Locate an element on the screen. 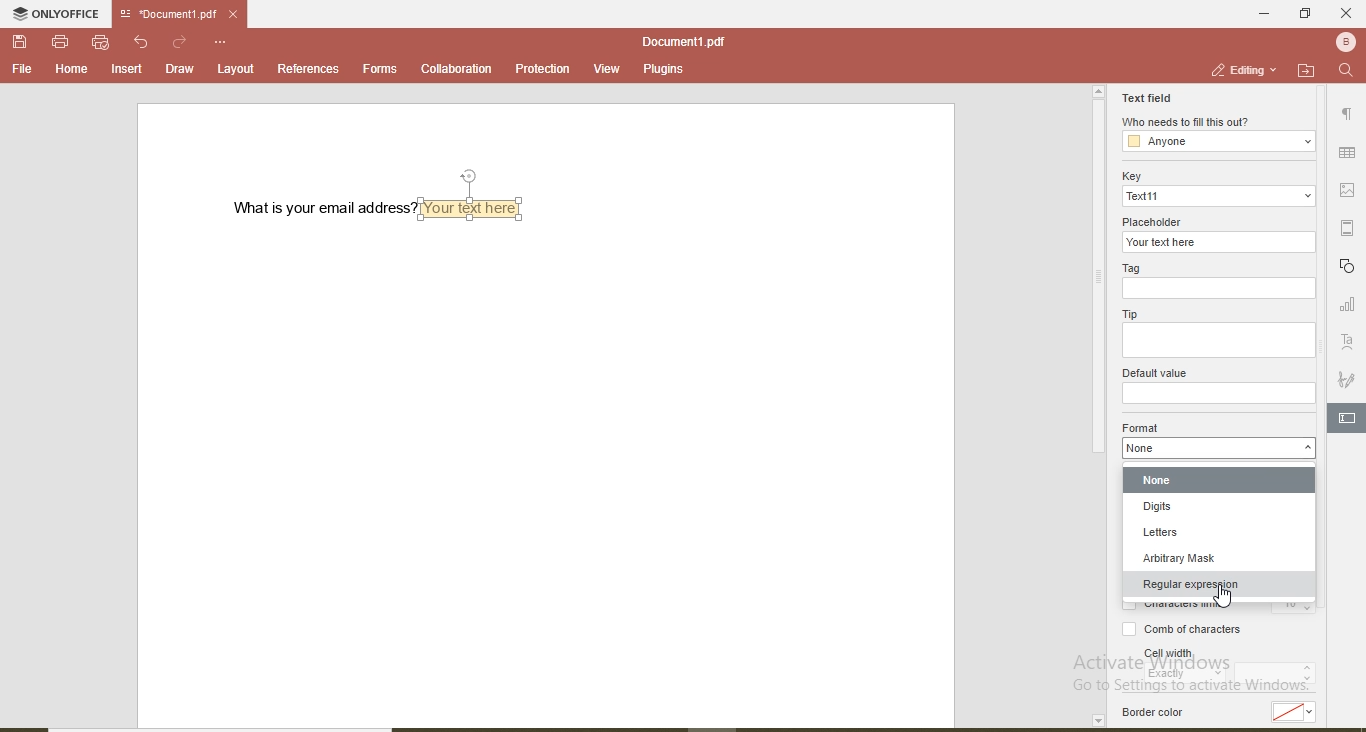 This screenshot has width=1366, height=732. default value is located at coordinates (1153, 373).